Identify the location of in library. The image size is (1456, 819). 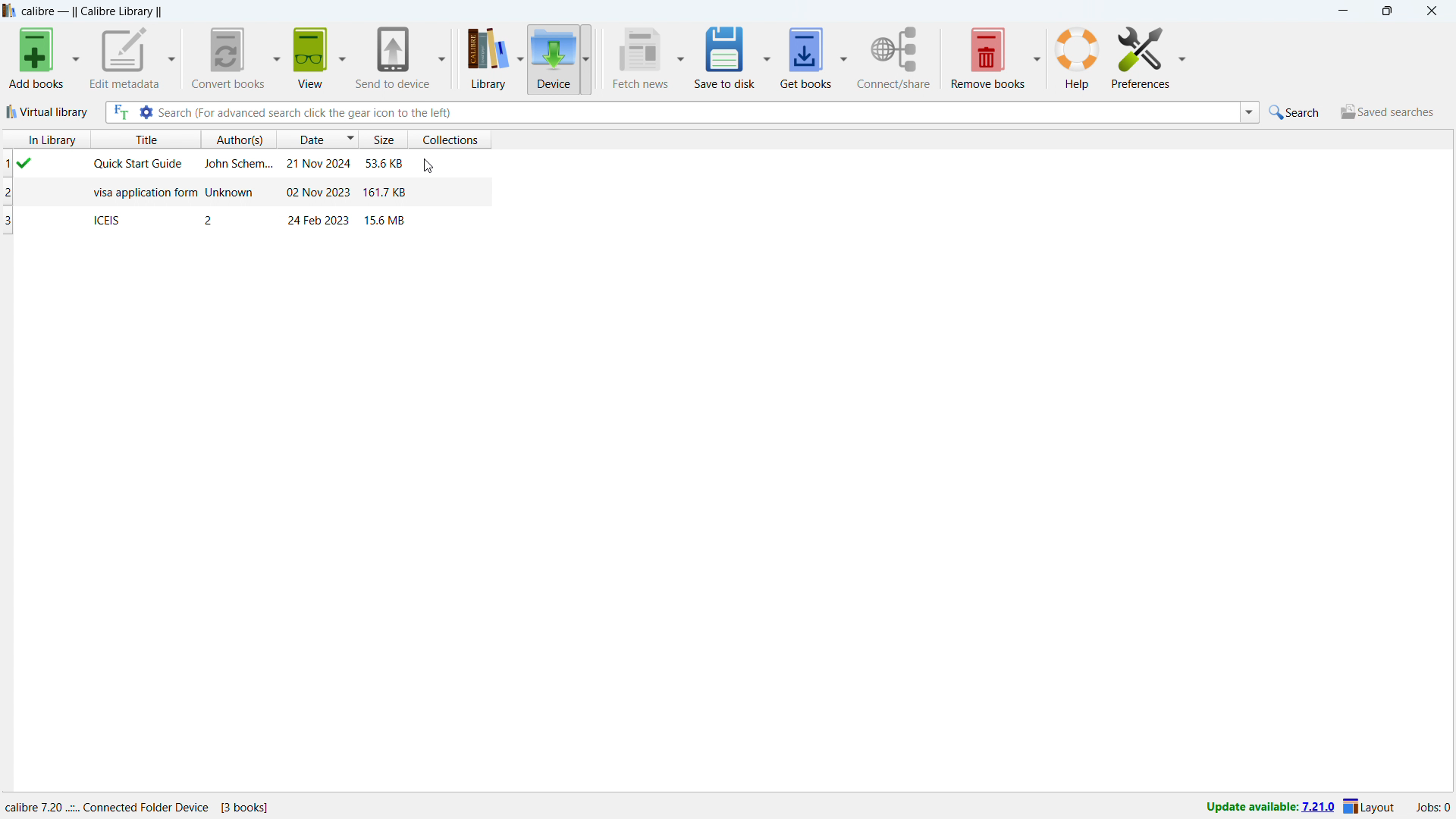
(47, 140).